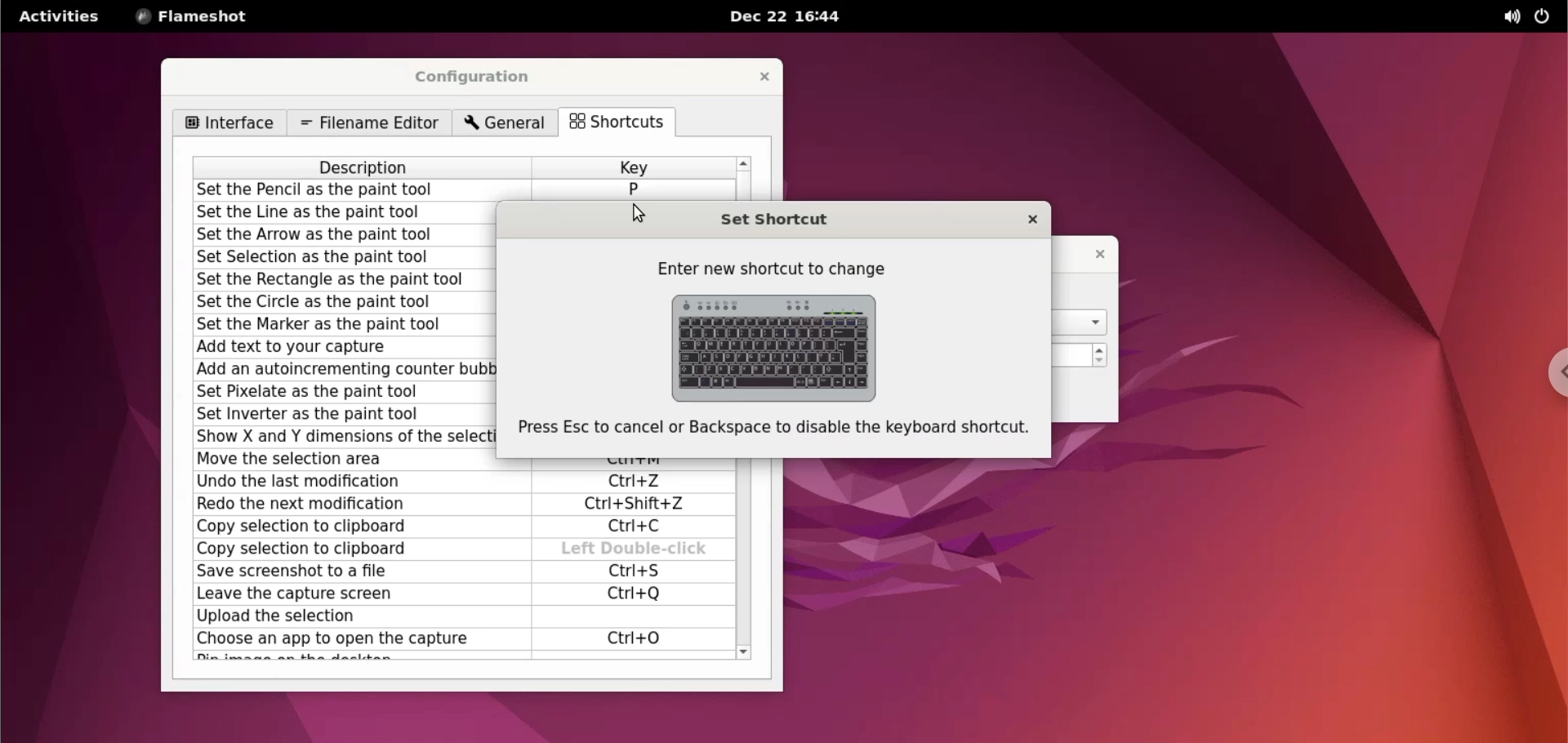 This screenshot has height=743, width=1568. I want to click on sound options, so click(1505, 17).